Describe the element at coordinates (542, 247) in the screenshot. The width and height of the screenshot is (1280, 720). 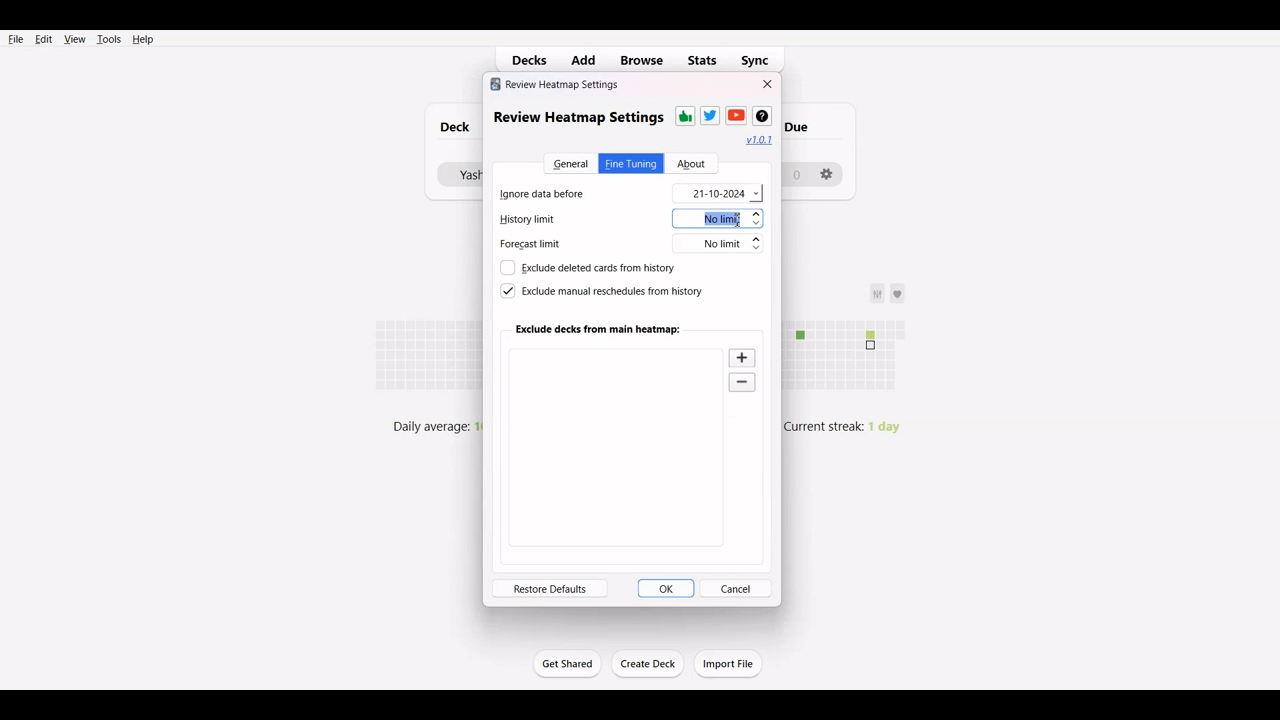
I see `Forecast limit` at that location.